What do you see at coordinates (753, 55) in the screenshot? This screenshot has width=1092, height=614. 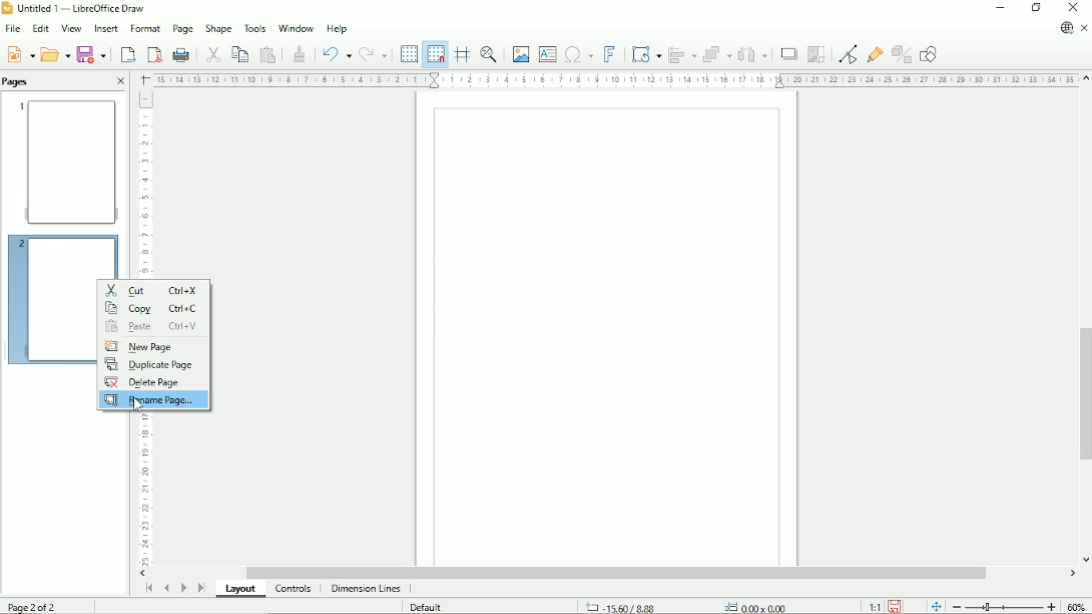 I see `Distribute` at bounding box center [753, 55].